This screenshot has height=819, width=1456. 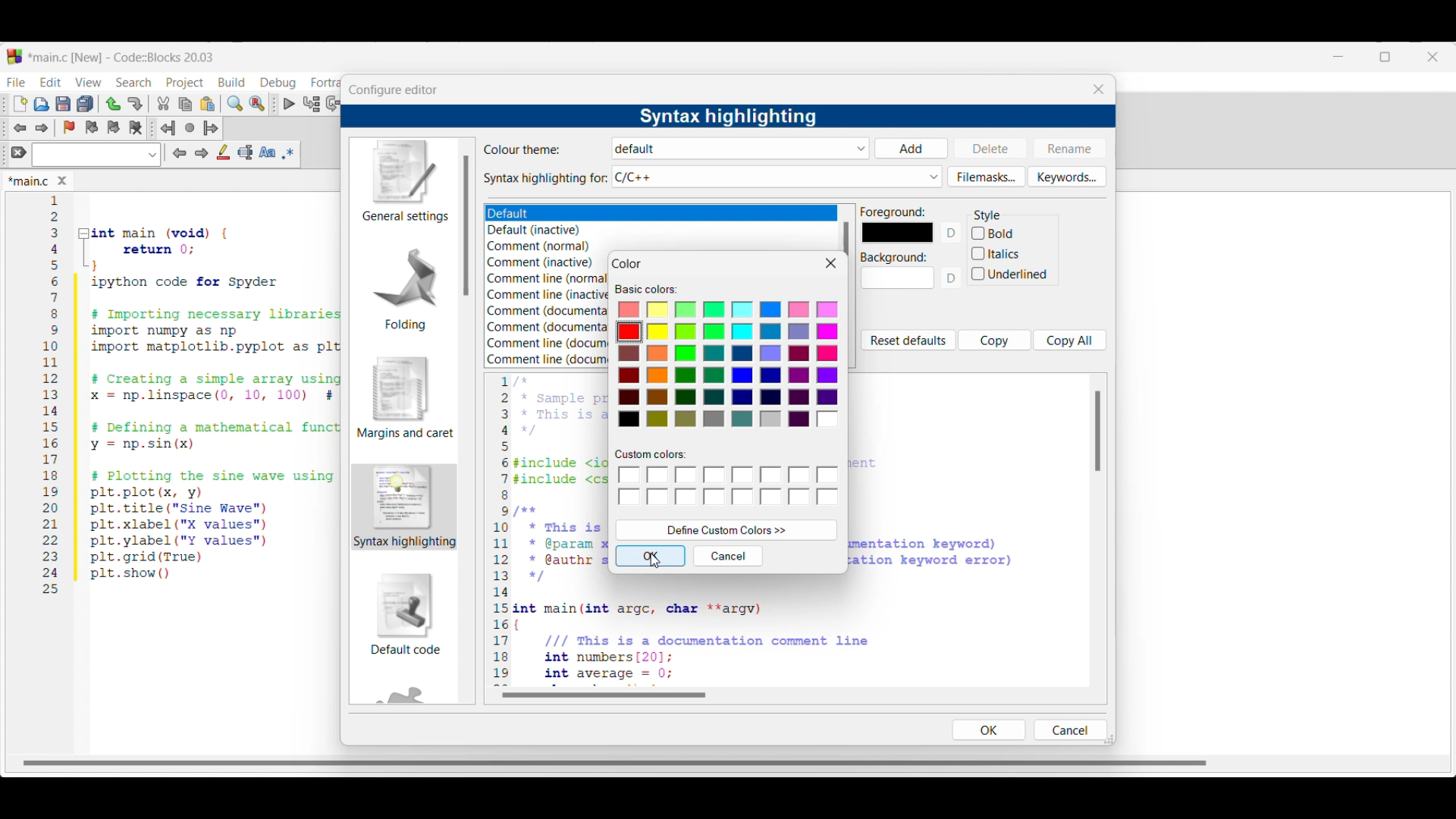 I want to click on Use regex, so click(x=288, y=153).